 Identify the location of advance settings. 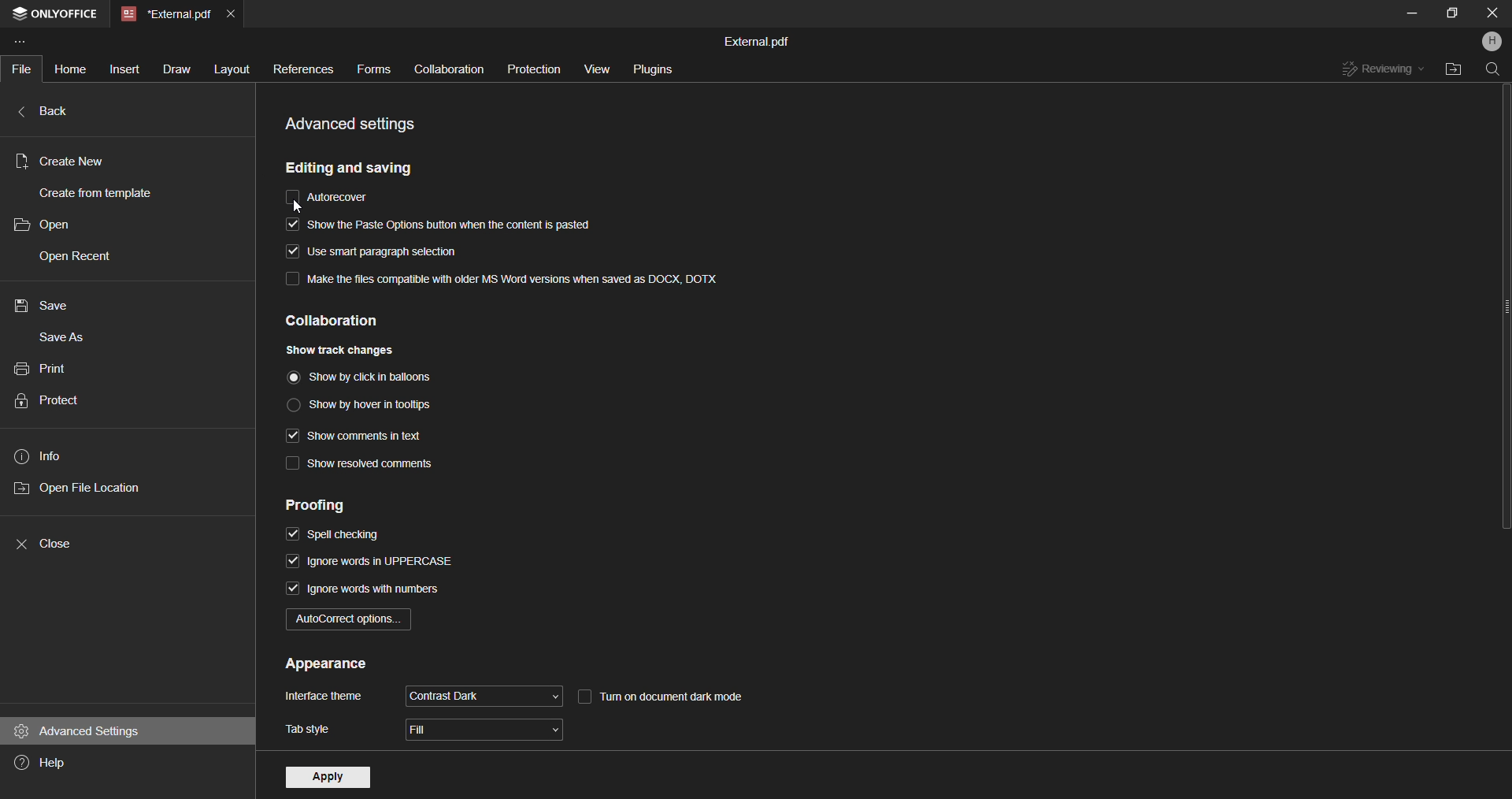
(357, 123).